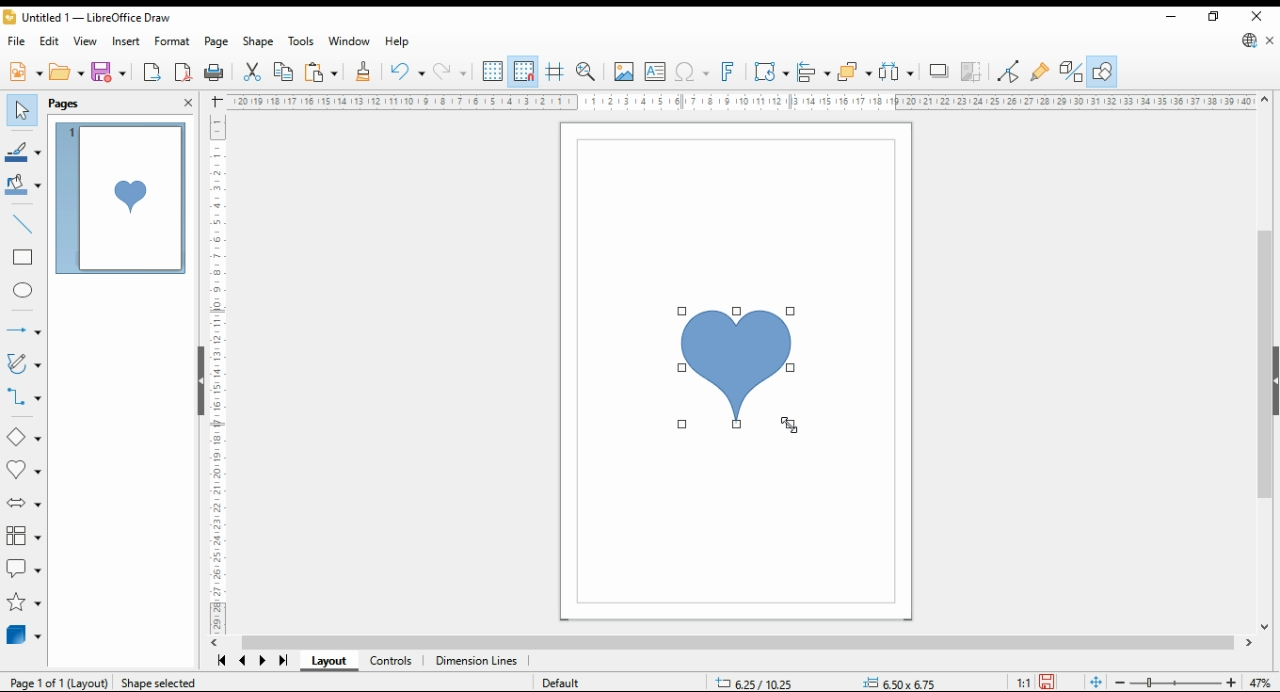  What do you see at coordinates (1260, 681) in the screenshot?
I see `zoom factor` at bounding box center [1260, 681].